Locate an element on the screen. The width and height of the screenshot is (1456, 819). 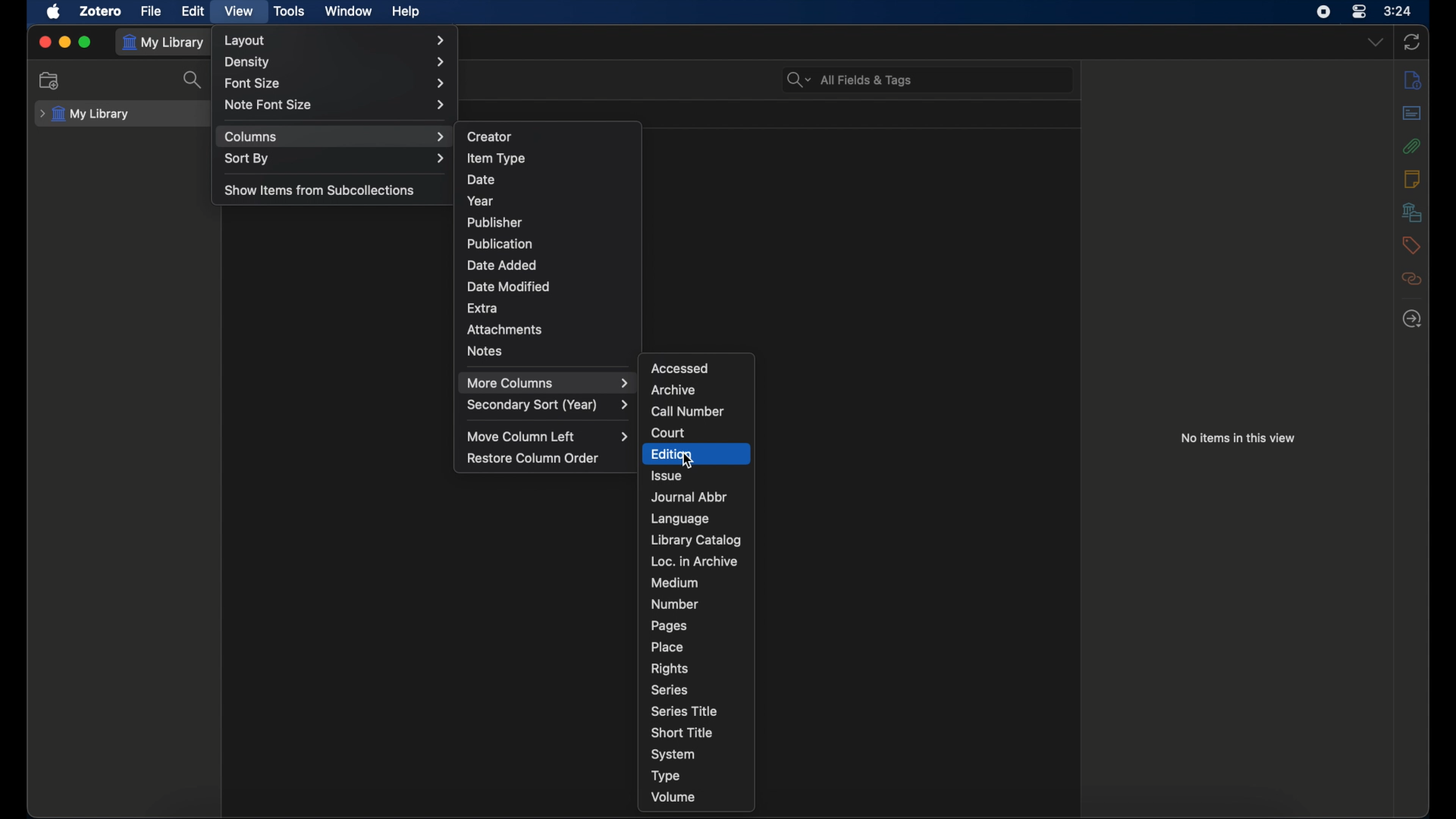
rights is located at coordinates (669, 669).